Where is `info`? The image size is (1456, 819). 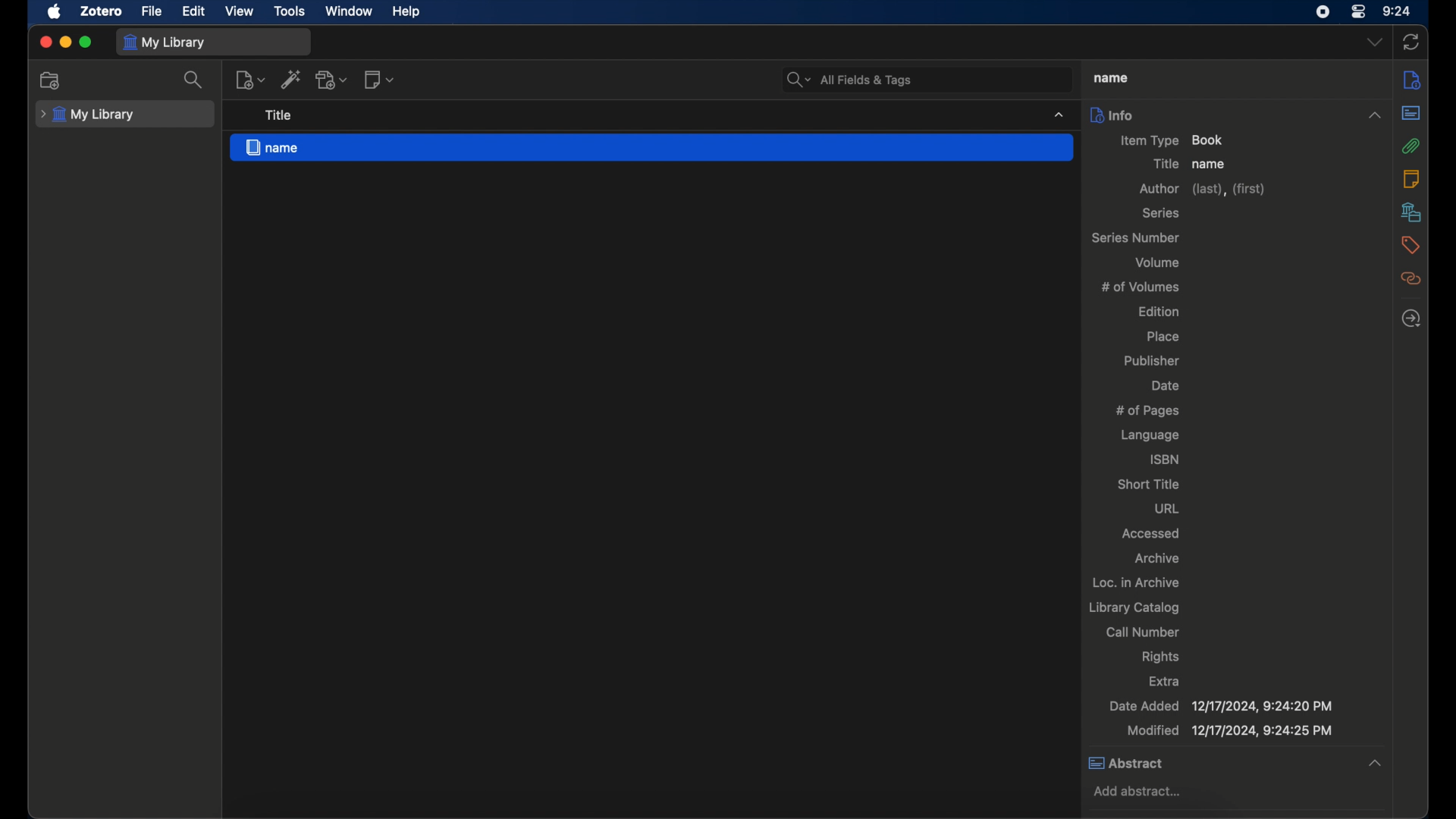
info is located at coordinates (1111, 115).